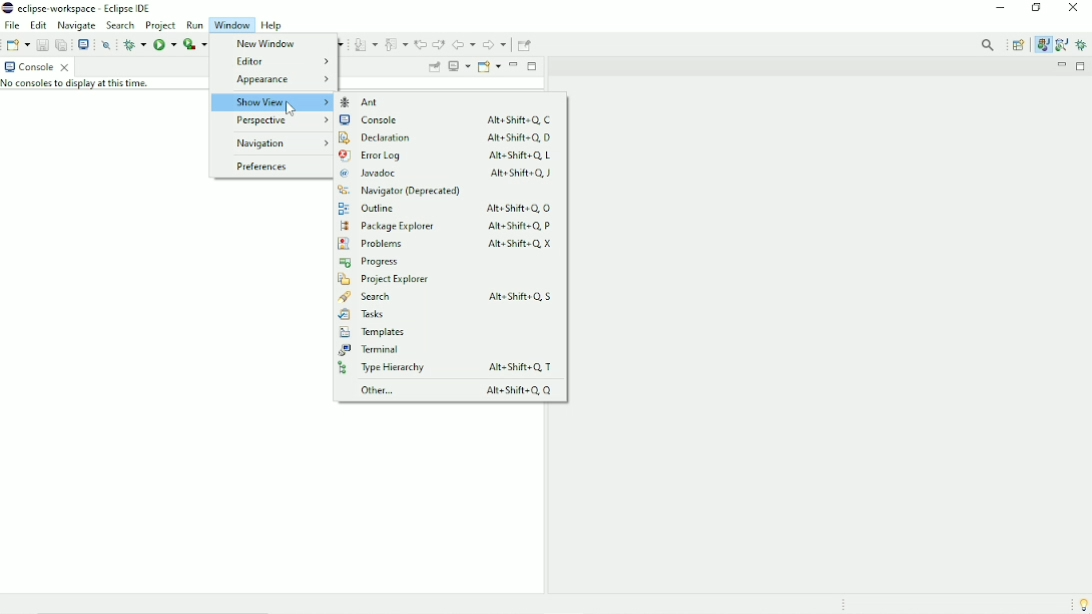 The width and height of the screenshot is (1092, 614). Describe the element at coordinates (444, 137) in the screenshot. I see `Declaration` at that location.